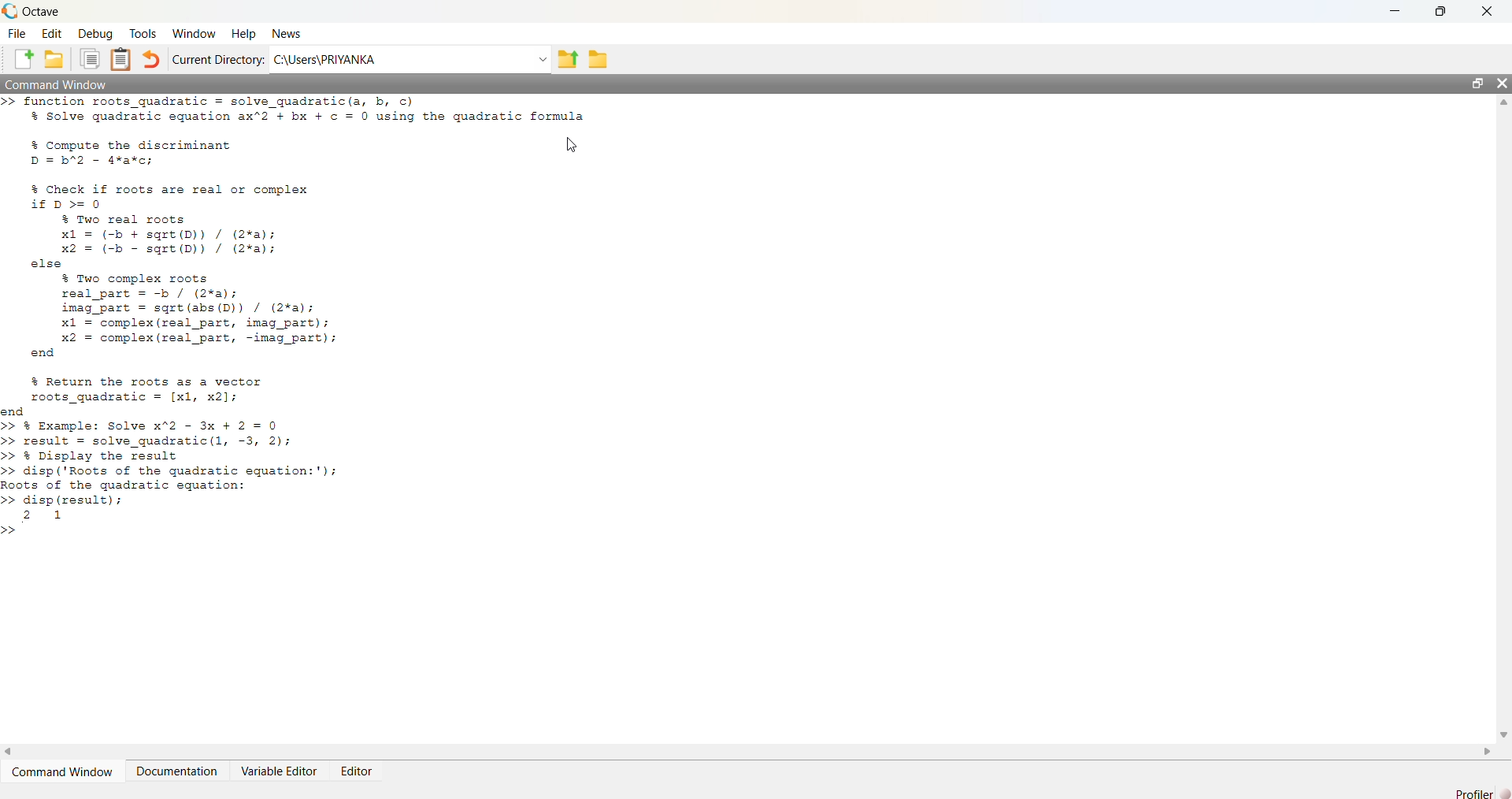 The height and width of the screenshot is (799, 1512). Describe the element at coordinates (143, 35) in the screenshot. I see `Tools` at that location.